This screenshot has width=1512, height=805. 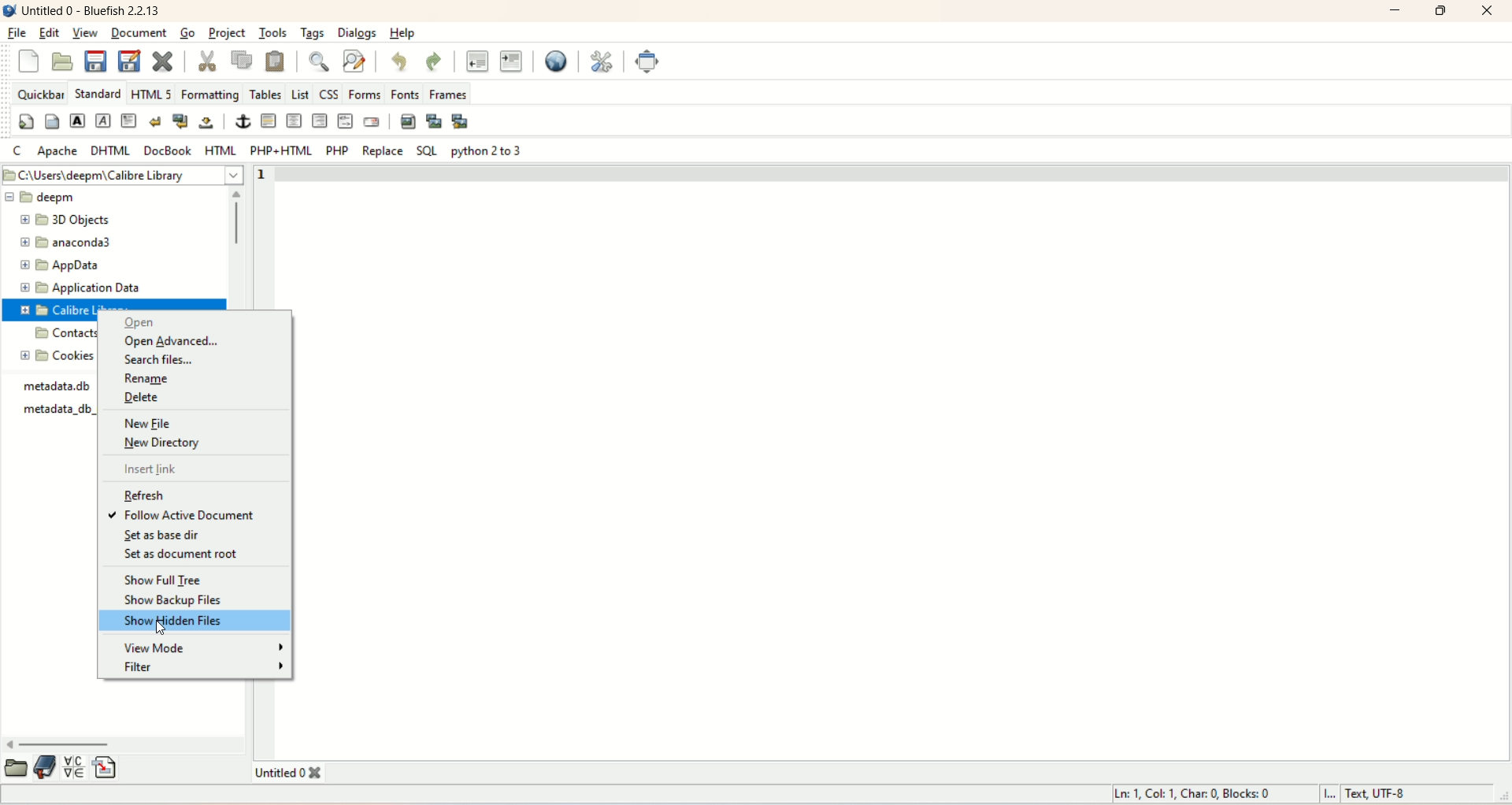 I want to click on save file as, so click(x=128, y=61).